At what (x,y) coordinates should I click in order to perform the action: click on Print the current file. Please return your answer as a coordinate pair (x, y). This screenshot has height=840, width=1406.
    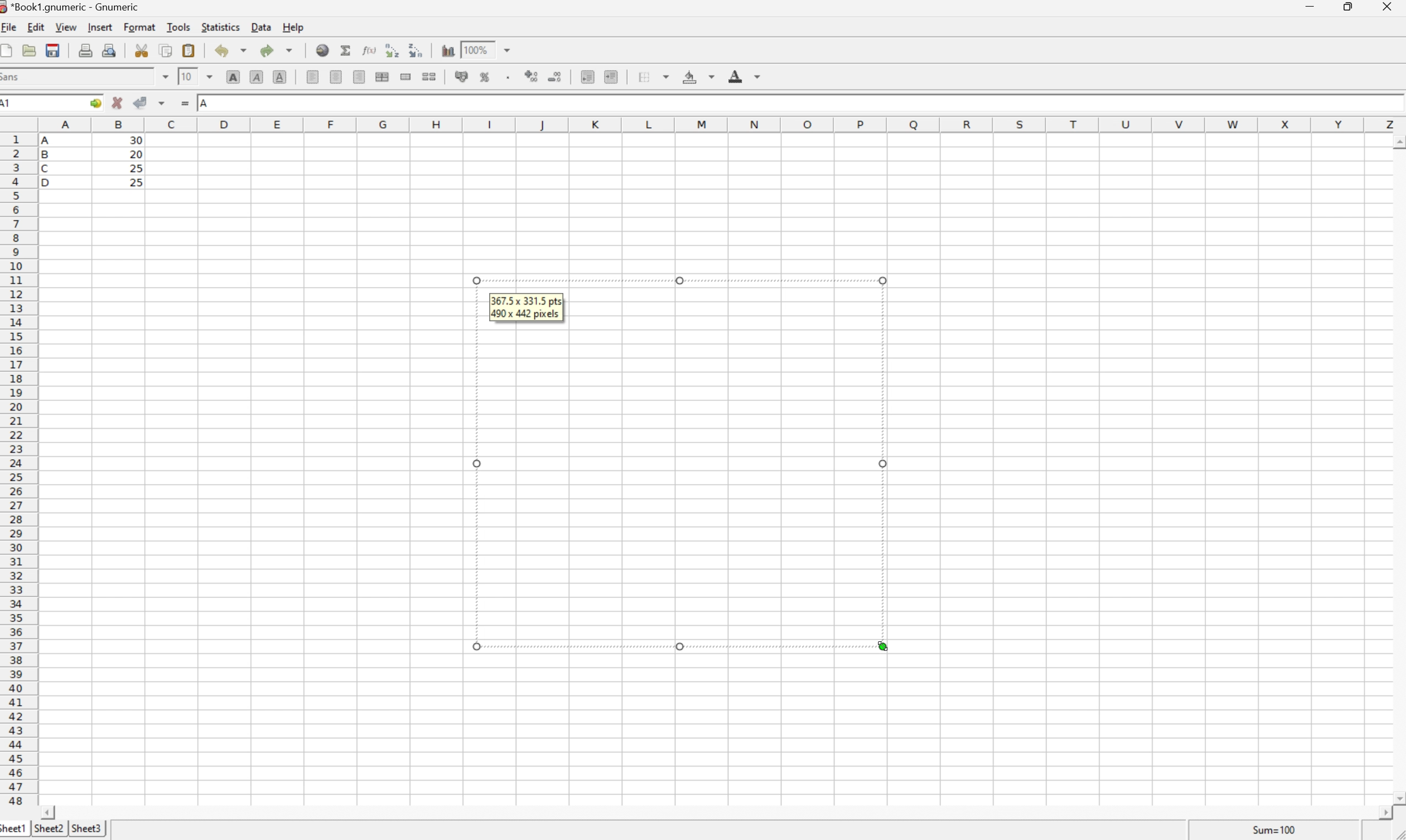
    Looking at the image, I should click on (86, 50).